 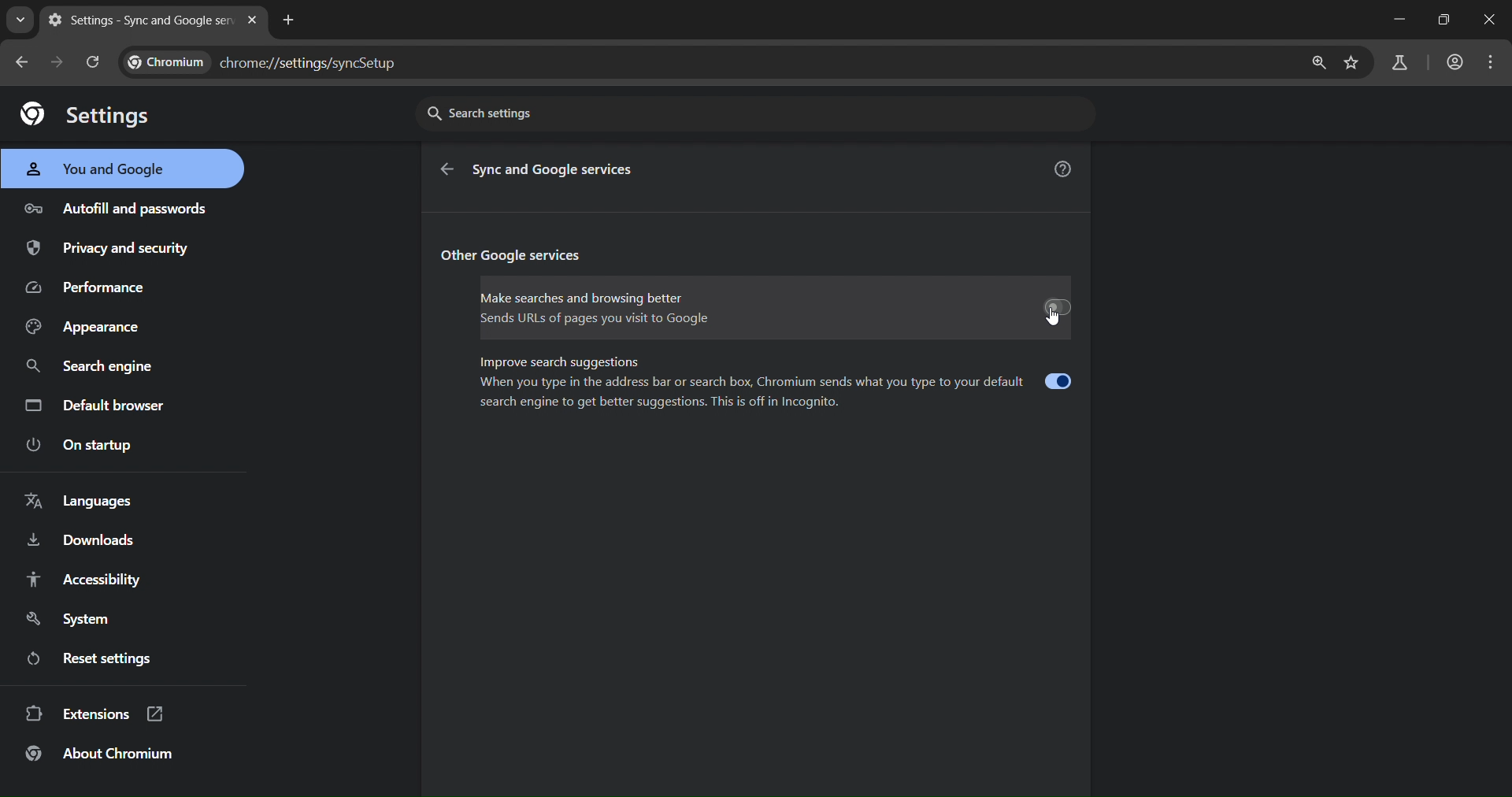 What do you see at coordinates (1321, 62) in the screenshot?
I see `zoom` at bounding box center [1321, 62].